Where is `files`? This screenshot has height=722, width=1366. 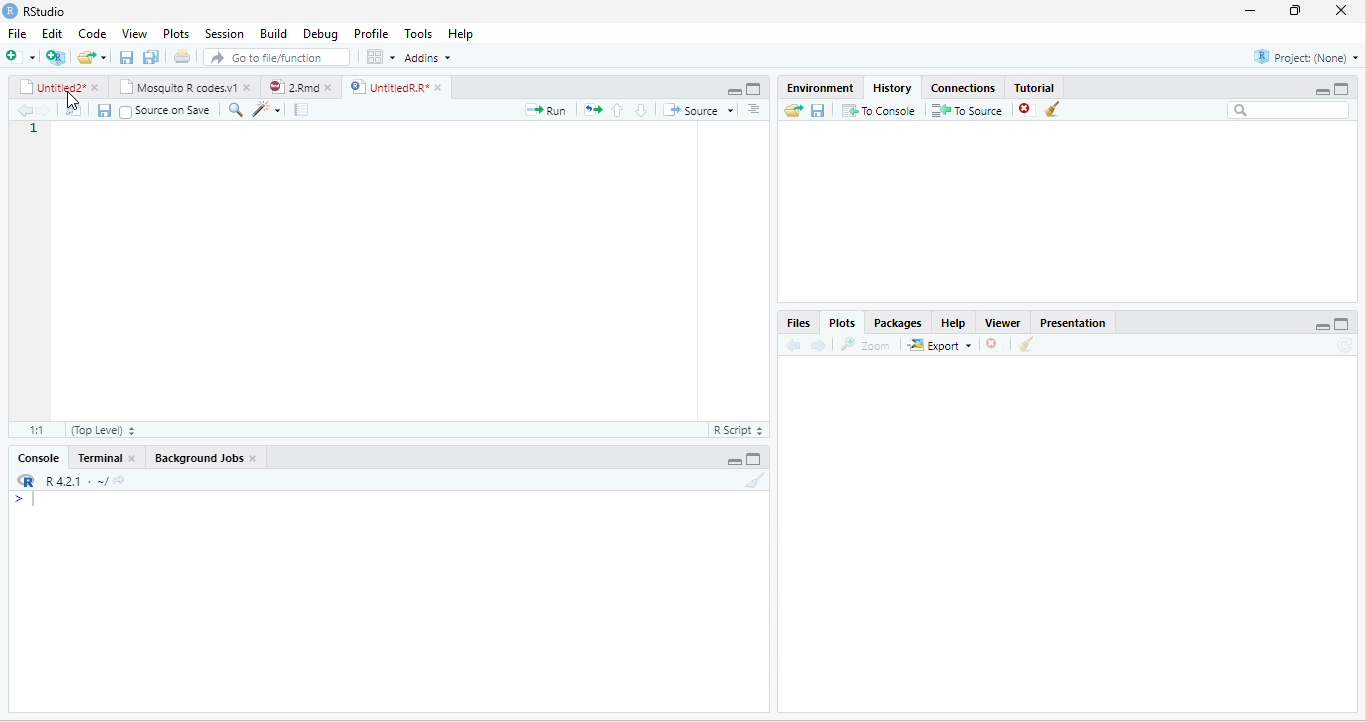 files is located at coordinates (797, 322).